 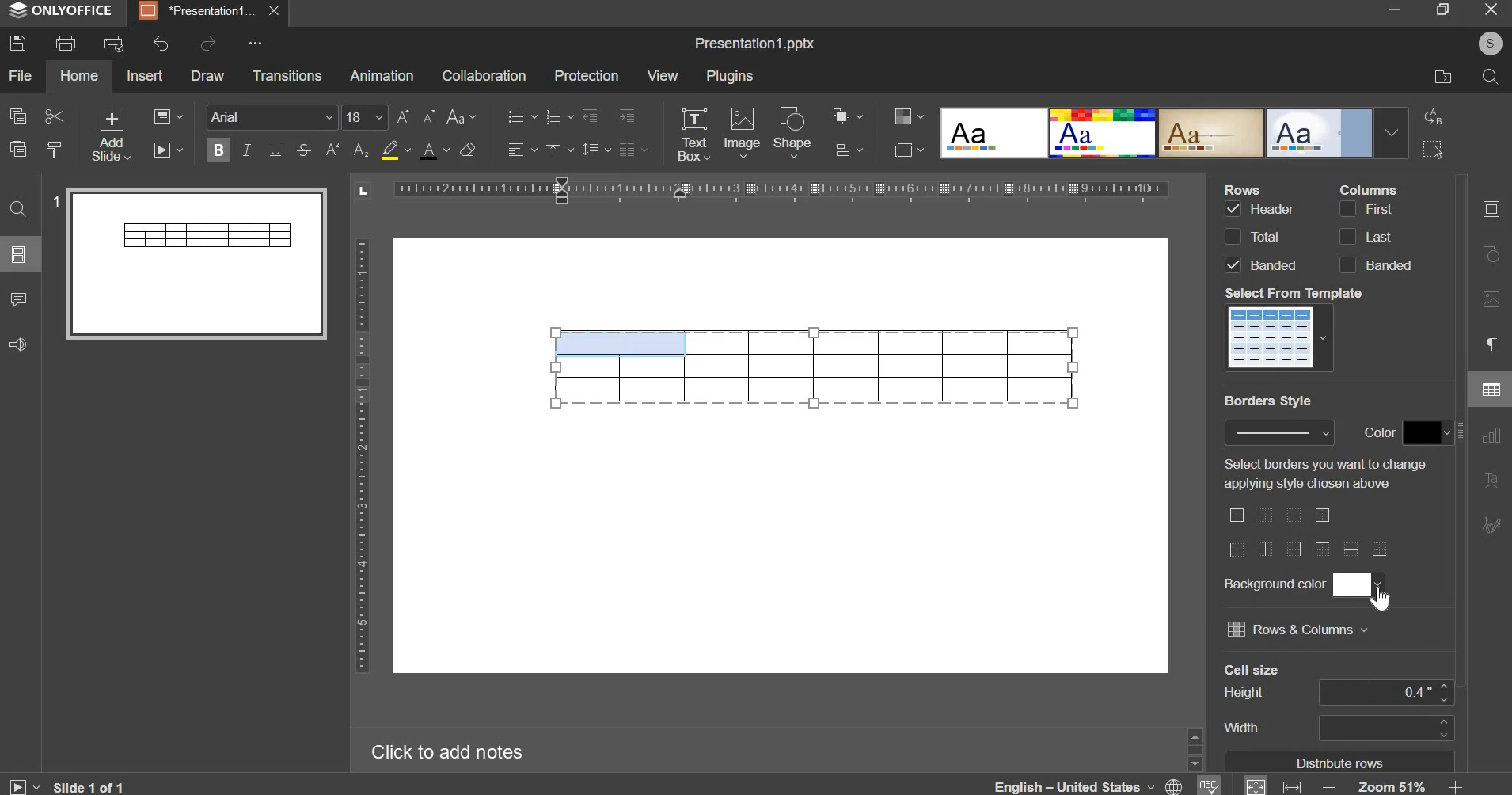 What do you see at coordinates (246, 149) in the screenshot?
I see `italics` at bounding box center [246, 149].